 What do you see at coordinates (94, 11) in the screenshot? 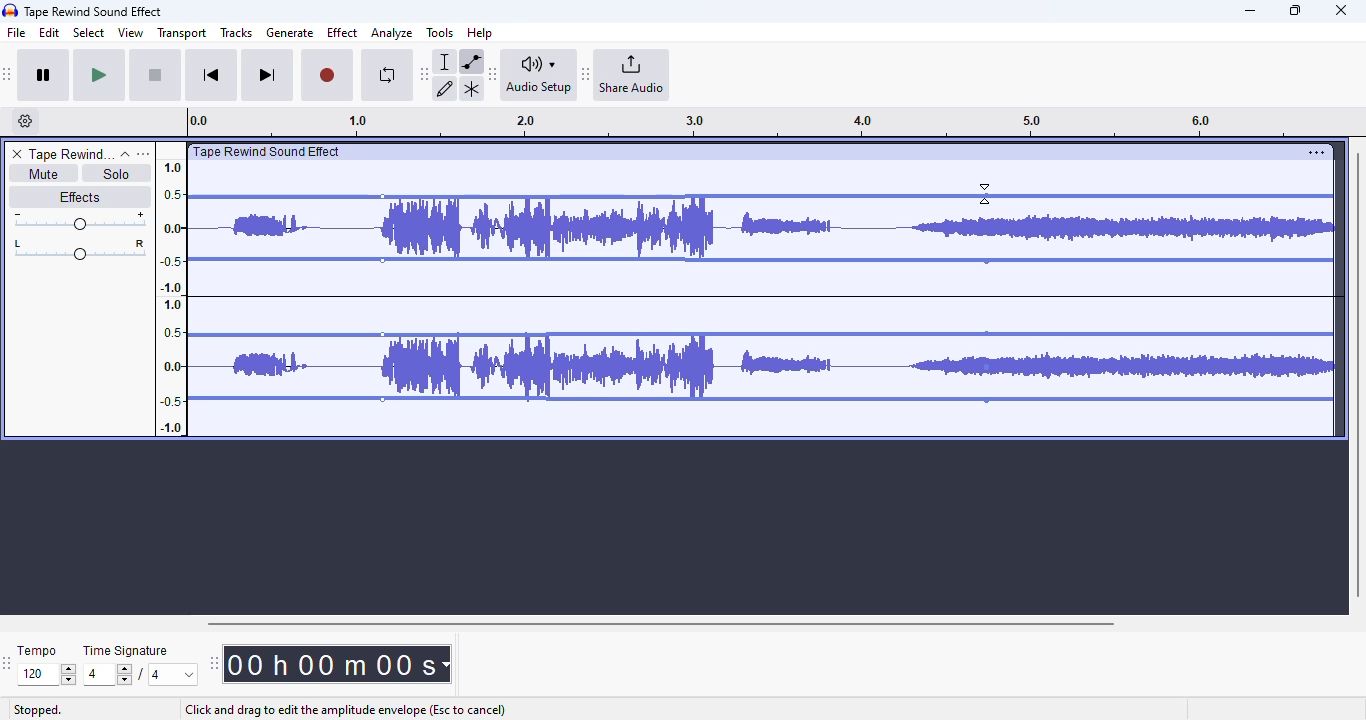
I see `title` at bounding box center [94, 11].